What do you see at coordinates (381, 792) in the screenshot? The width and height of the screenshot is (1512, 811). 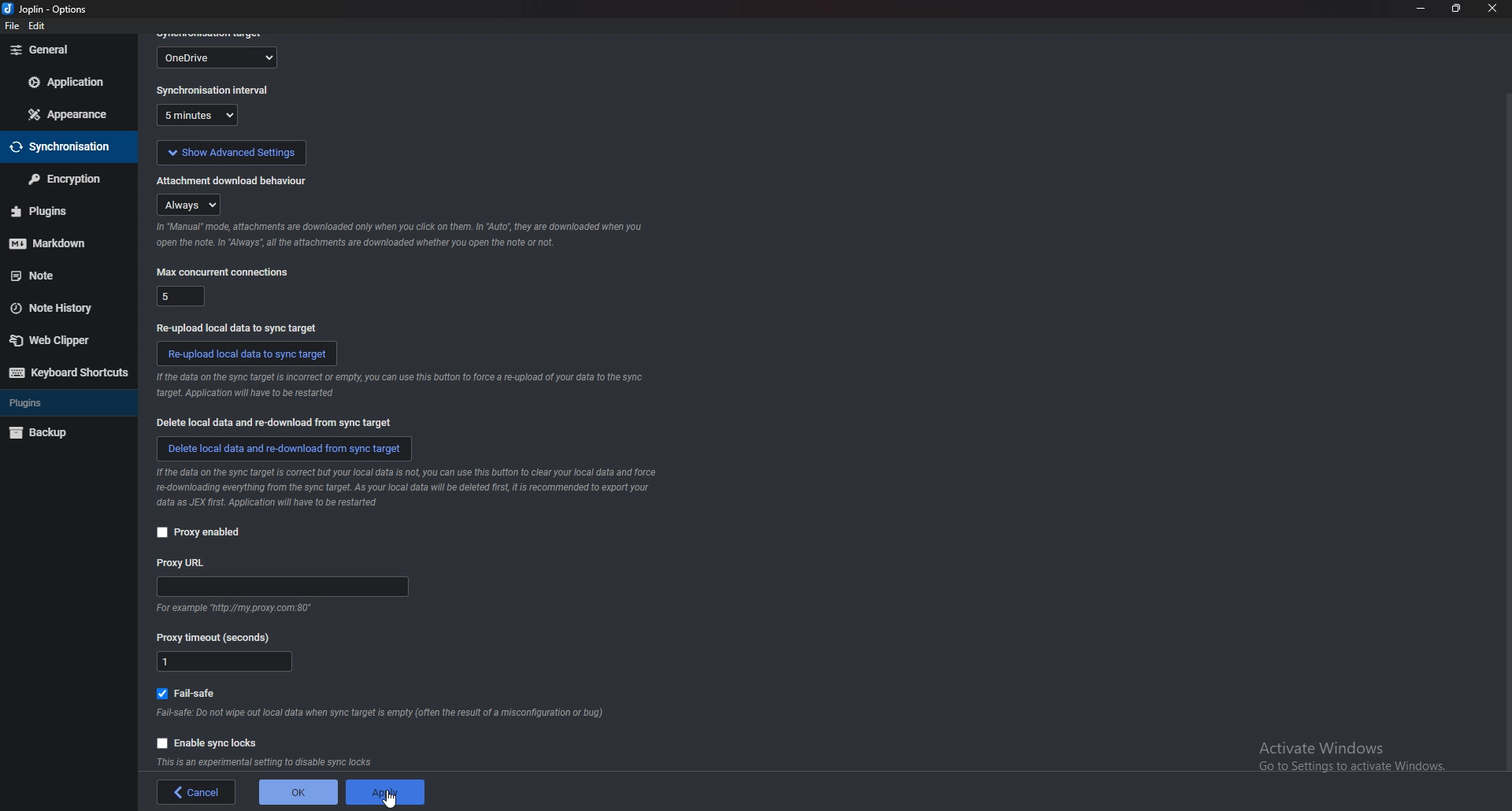 I see `apply` at bounding box center [381, 792].